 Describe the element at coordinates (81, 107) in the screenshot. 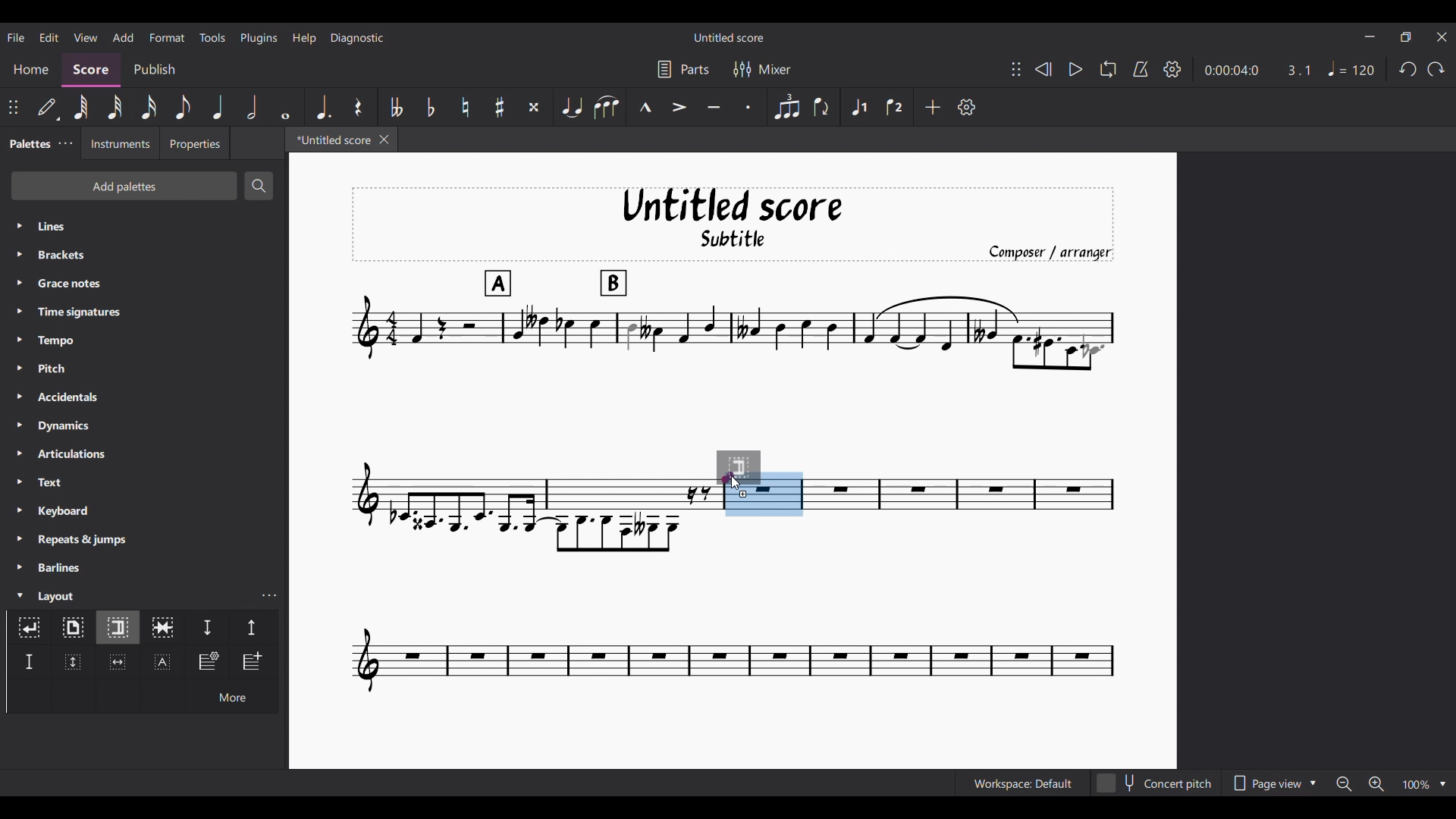

I see `64th note` at that location.